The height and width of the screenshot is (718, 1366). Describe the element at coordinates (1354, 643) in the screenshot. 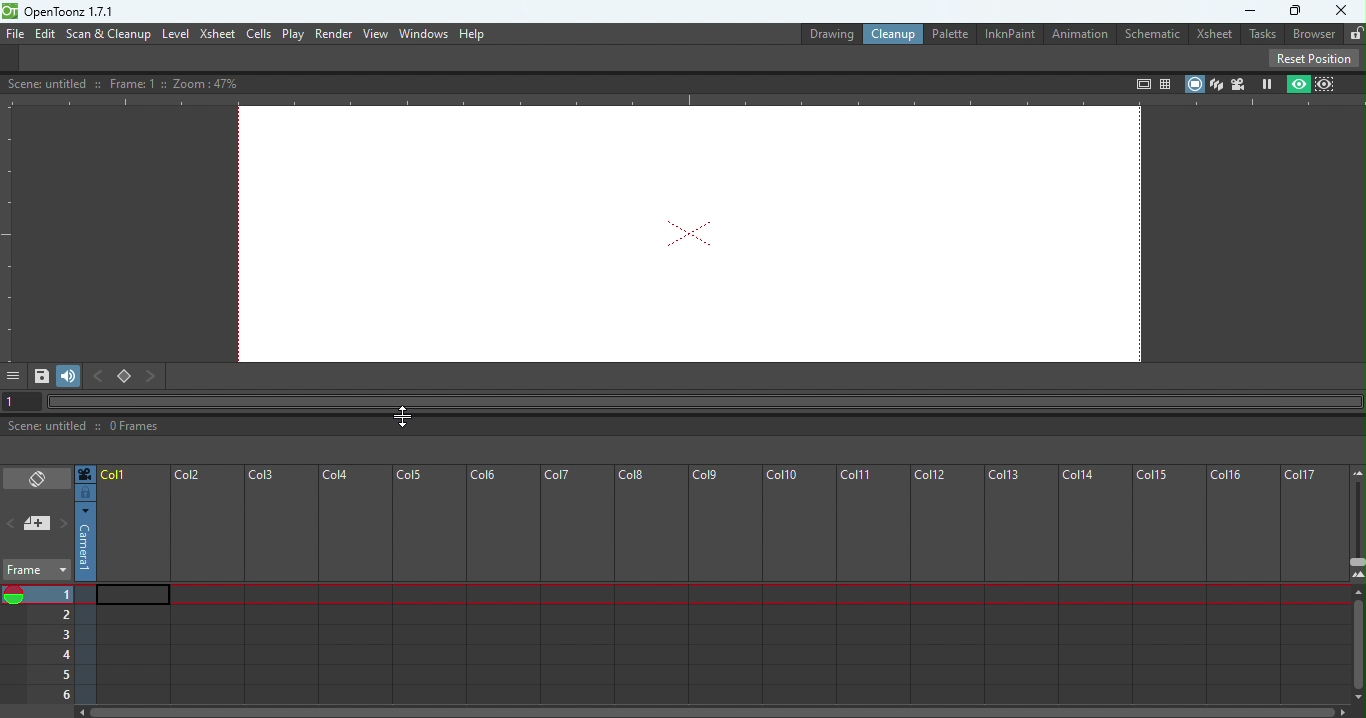

I see `Scroll bar` at that location.